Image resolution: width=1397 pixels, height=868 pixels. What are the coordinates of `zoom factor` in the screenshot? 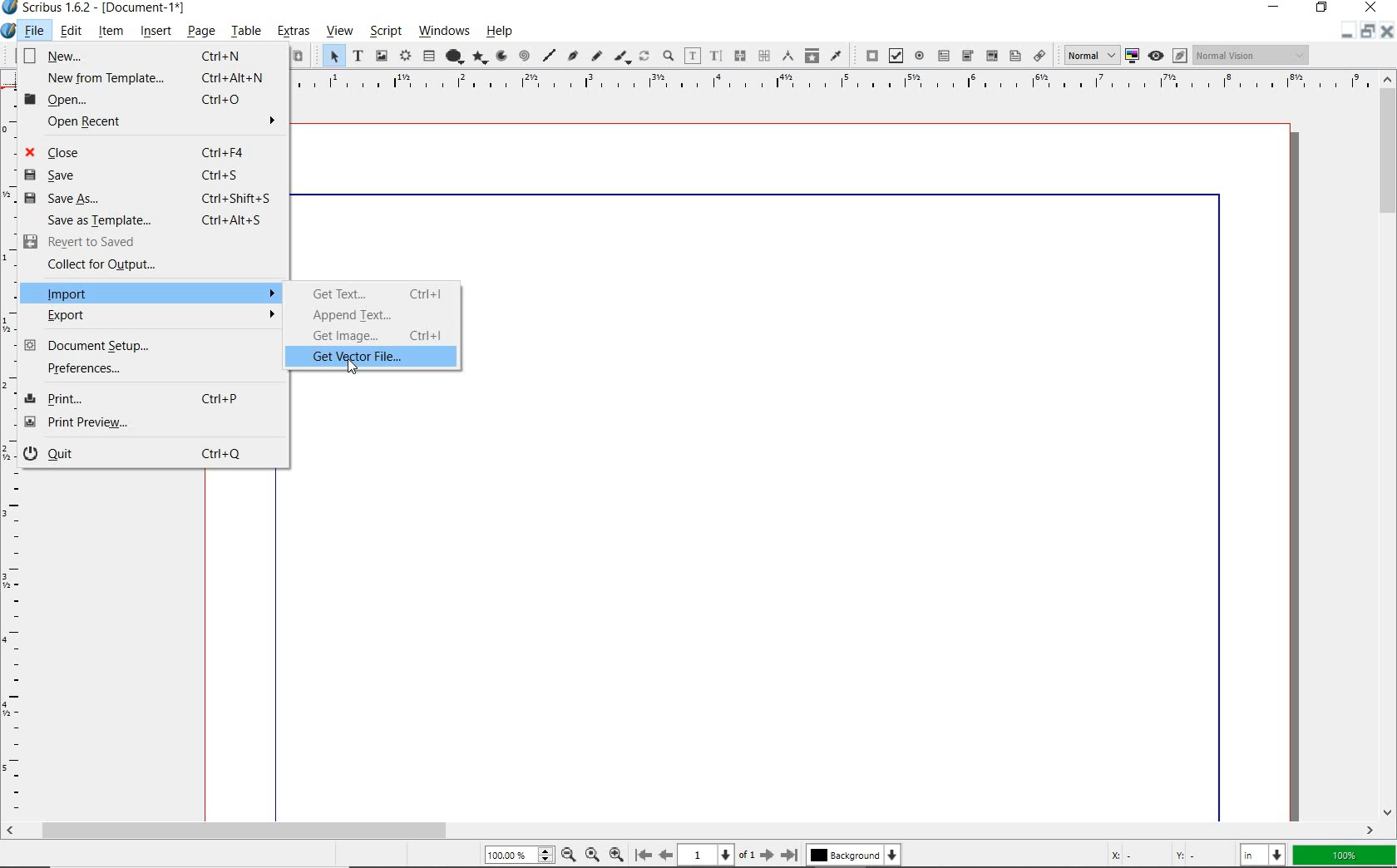 It's located at (1345, 857).